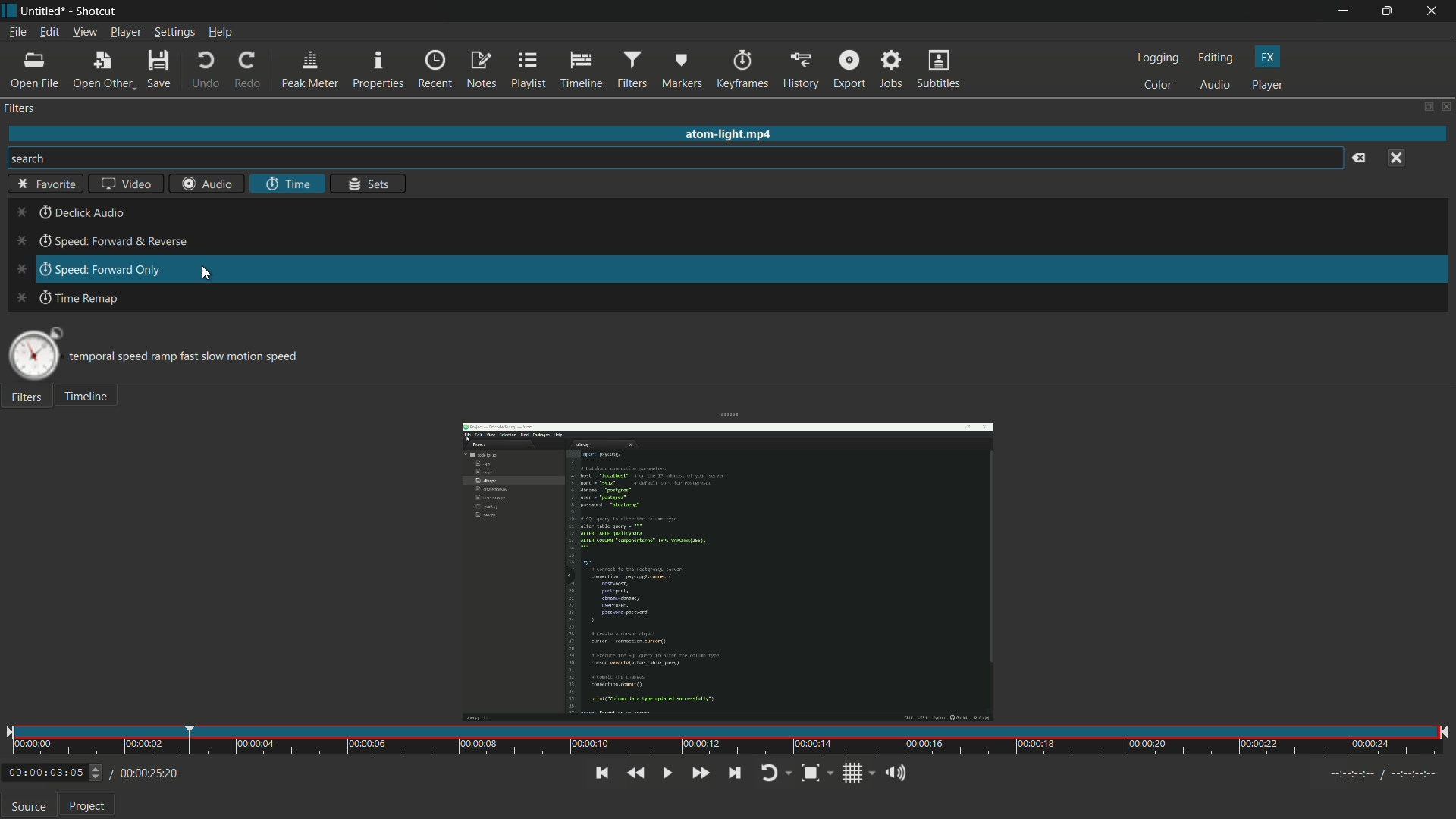 This screenshot has width=1456, height=819. Describe the element at coordinates (940, 71) in the screenshot. I see `subtitles` at that location.